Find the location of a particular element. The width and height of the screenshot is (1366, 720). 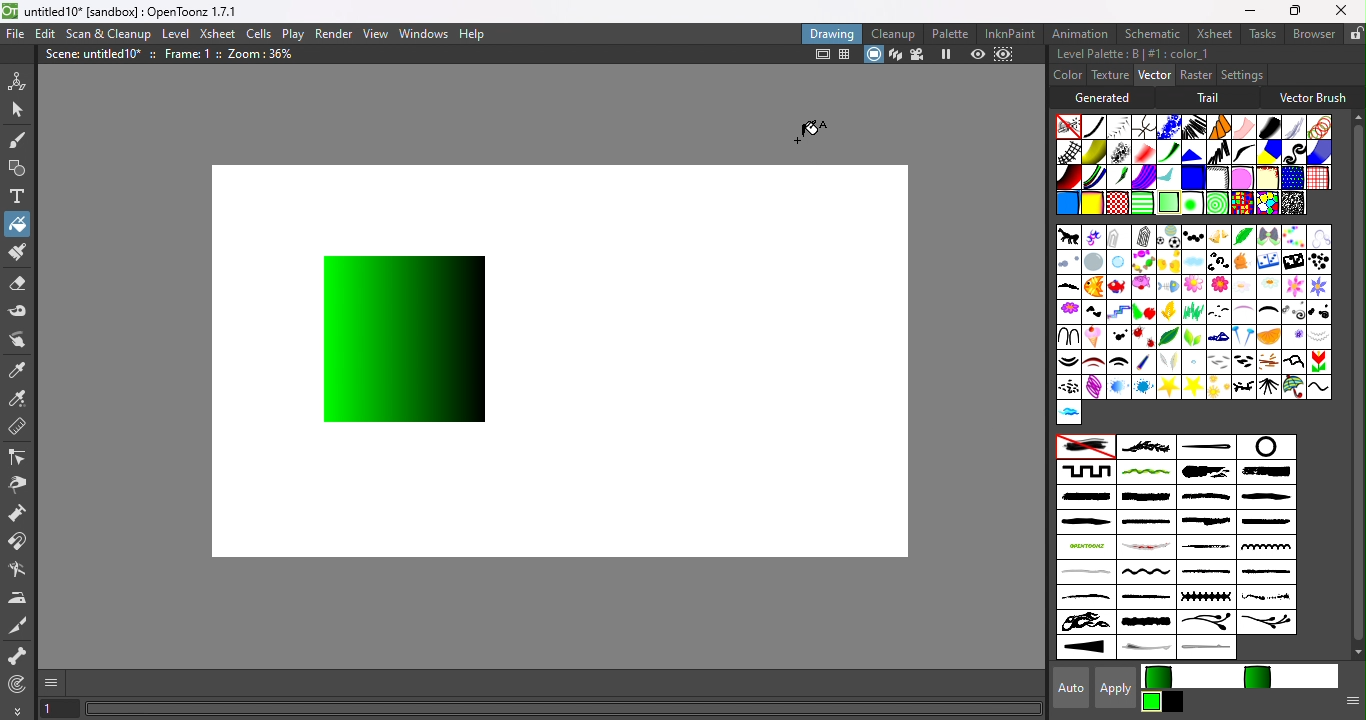

Brush2 is located at coordinates (1317, 237).